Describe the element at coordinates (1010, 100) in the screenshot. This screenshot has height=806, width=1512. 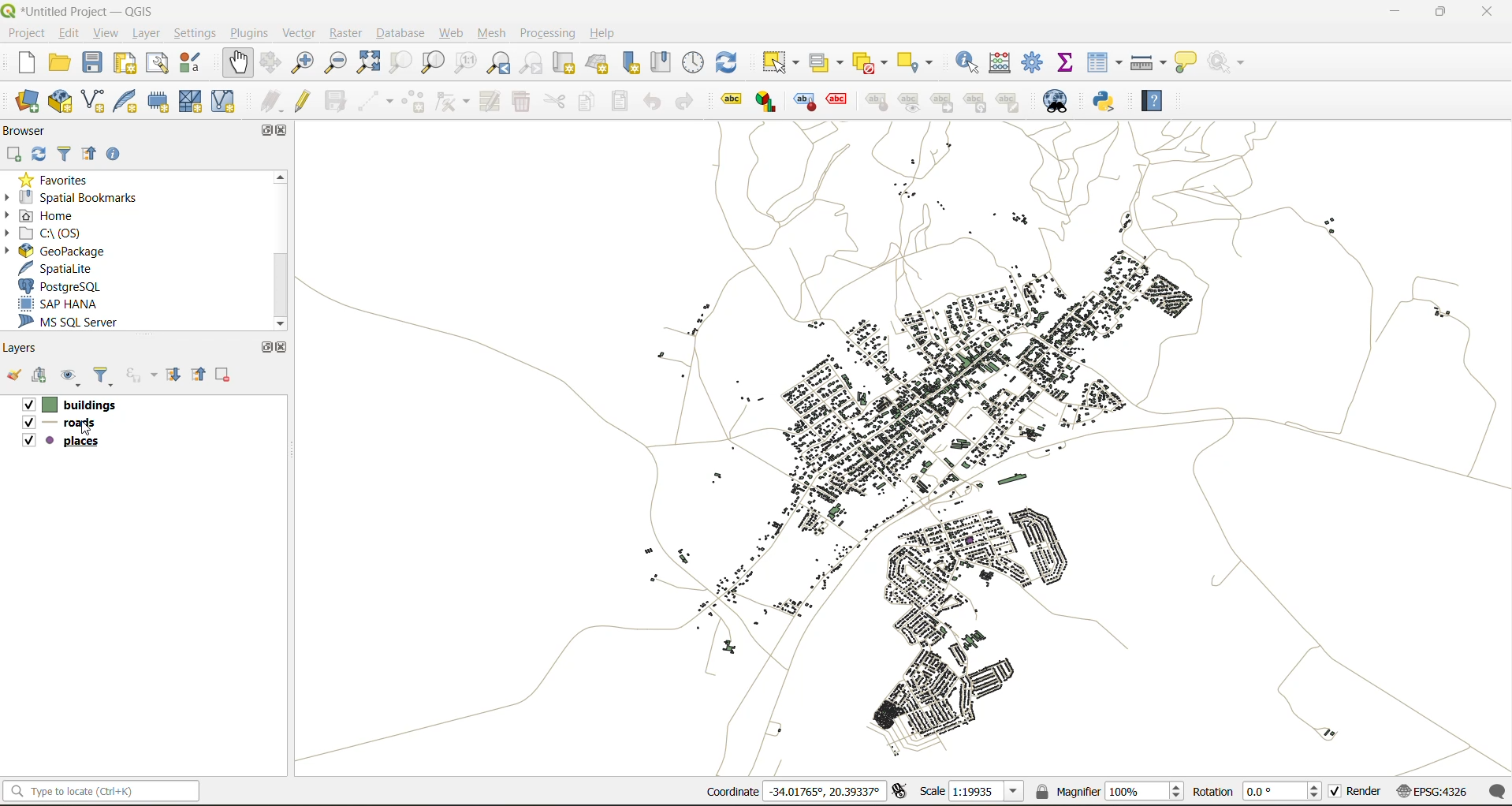
I see `change label properties` at that location.